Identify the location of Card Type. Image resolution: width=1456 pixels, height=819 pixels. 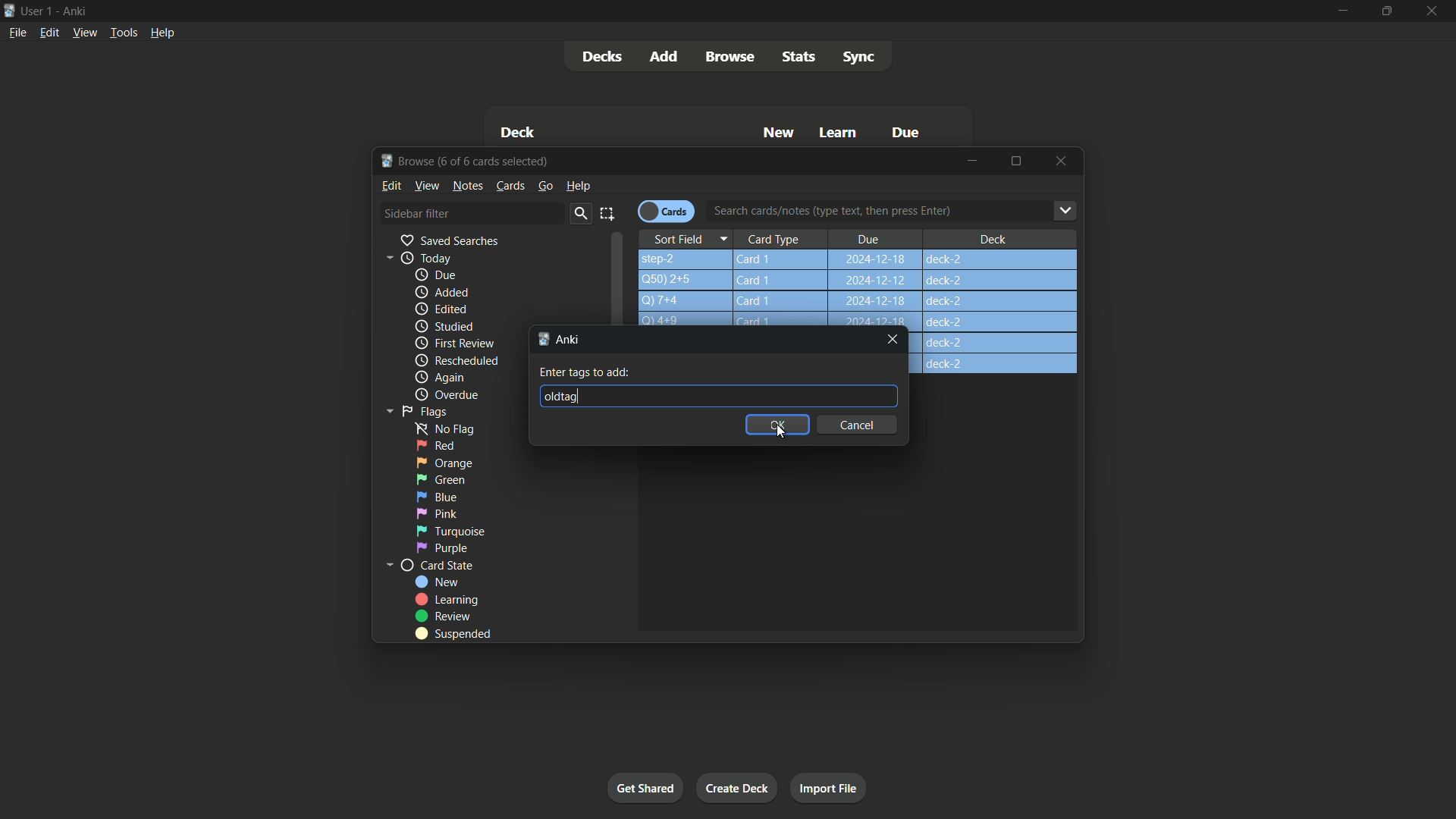
(781, 239).